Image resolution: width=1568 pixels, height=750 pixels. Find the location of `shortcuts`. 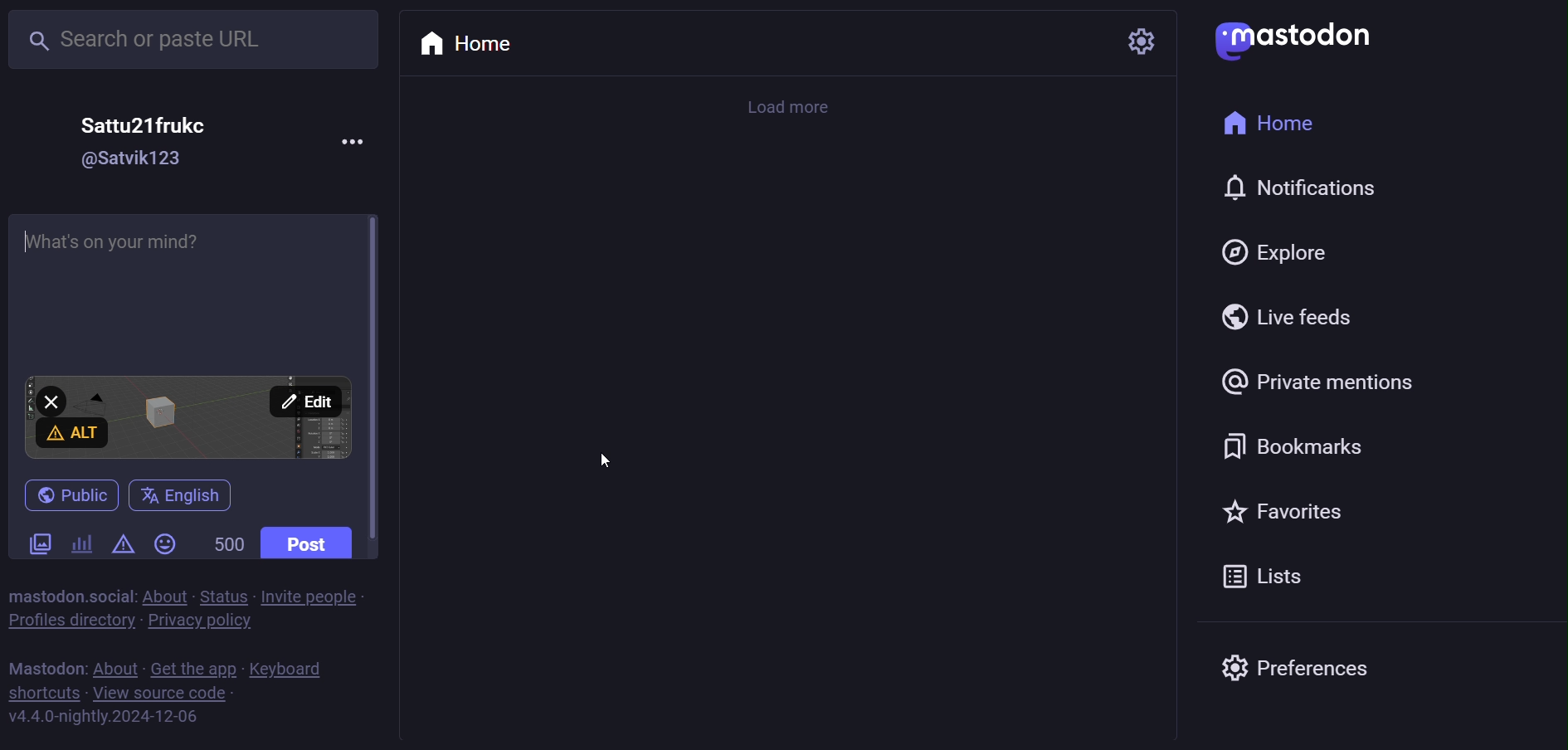

shortcuts is located at coordinates (41, 693).